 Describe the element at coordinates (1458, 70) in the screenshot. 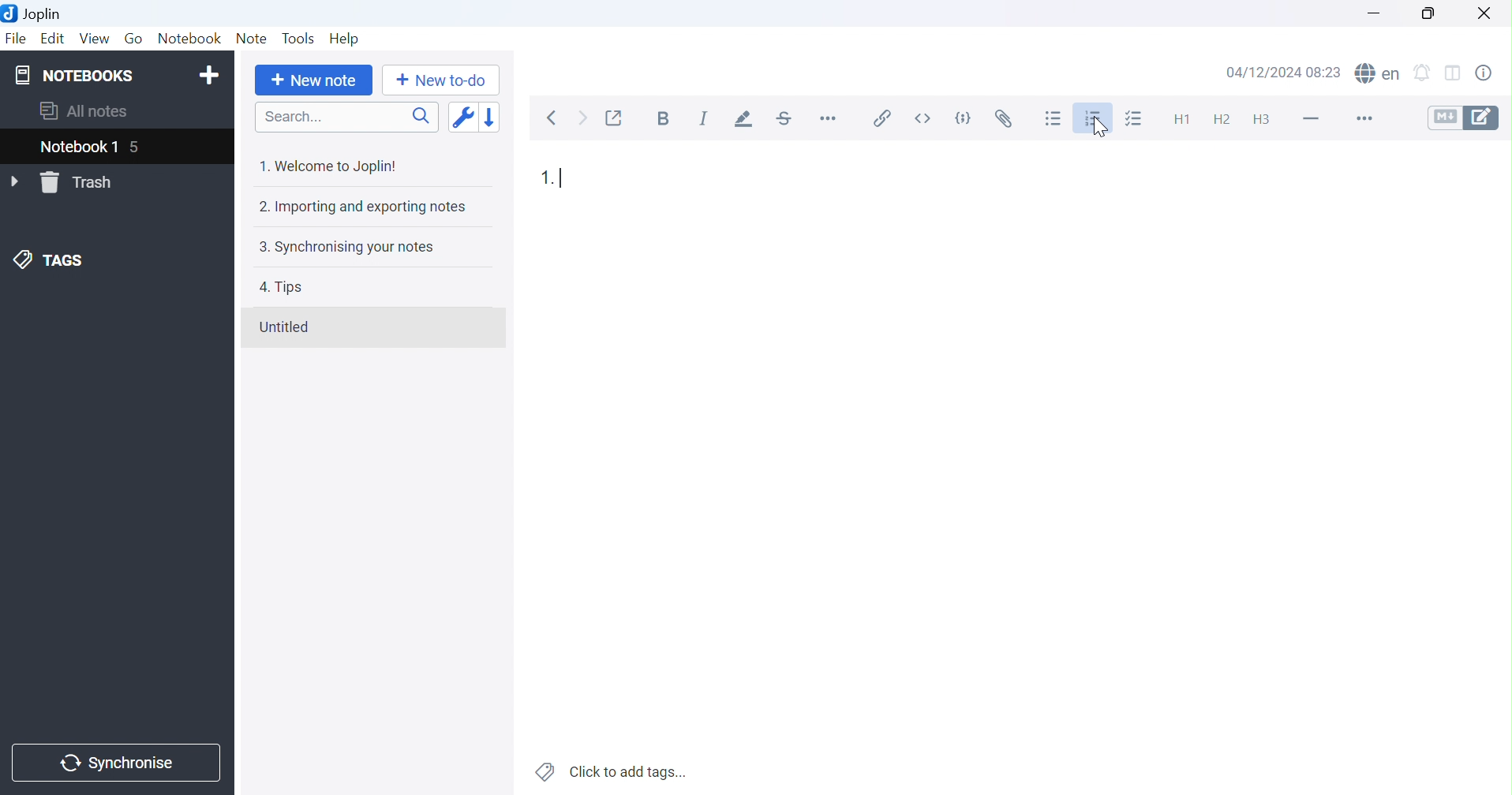

I see `Toggle editor layout` at that location.